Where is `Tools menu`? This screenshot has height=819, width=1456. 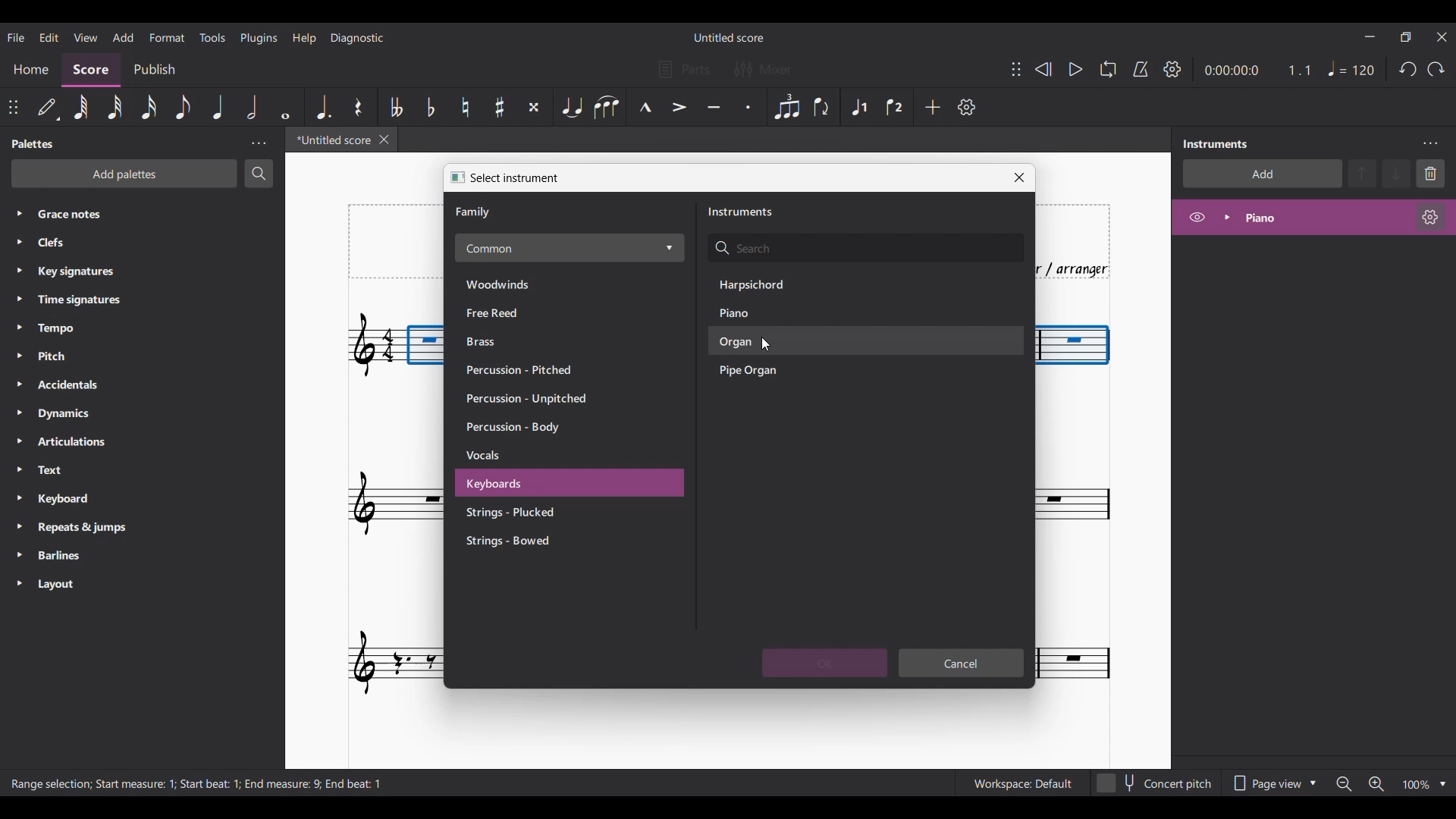
Tools menu is located at coordinates (212, 38).